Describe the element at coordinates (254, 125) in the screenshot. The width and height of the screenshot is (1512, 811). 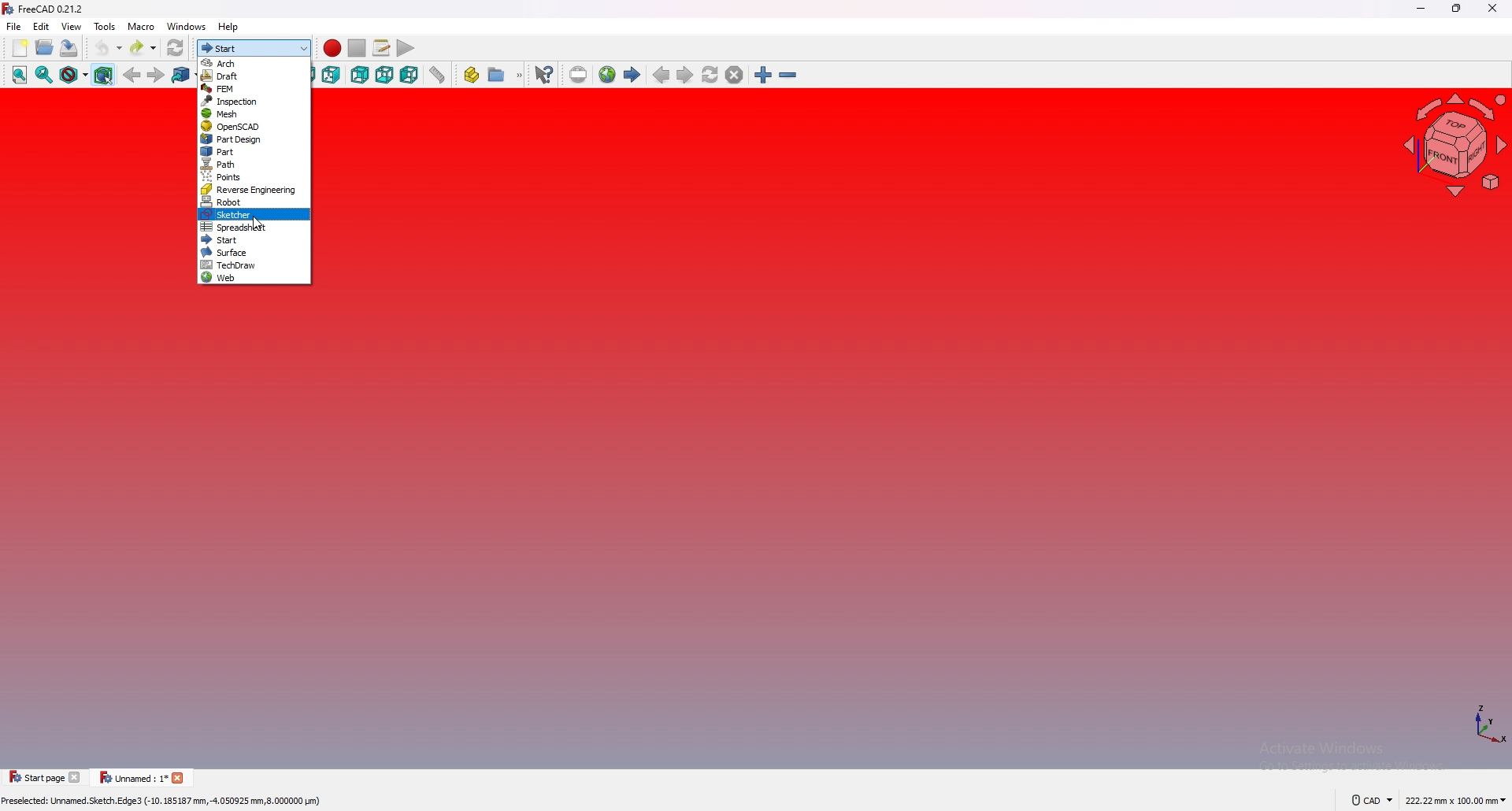
I see `open SCAD` at that location.